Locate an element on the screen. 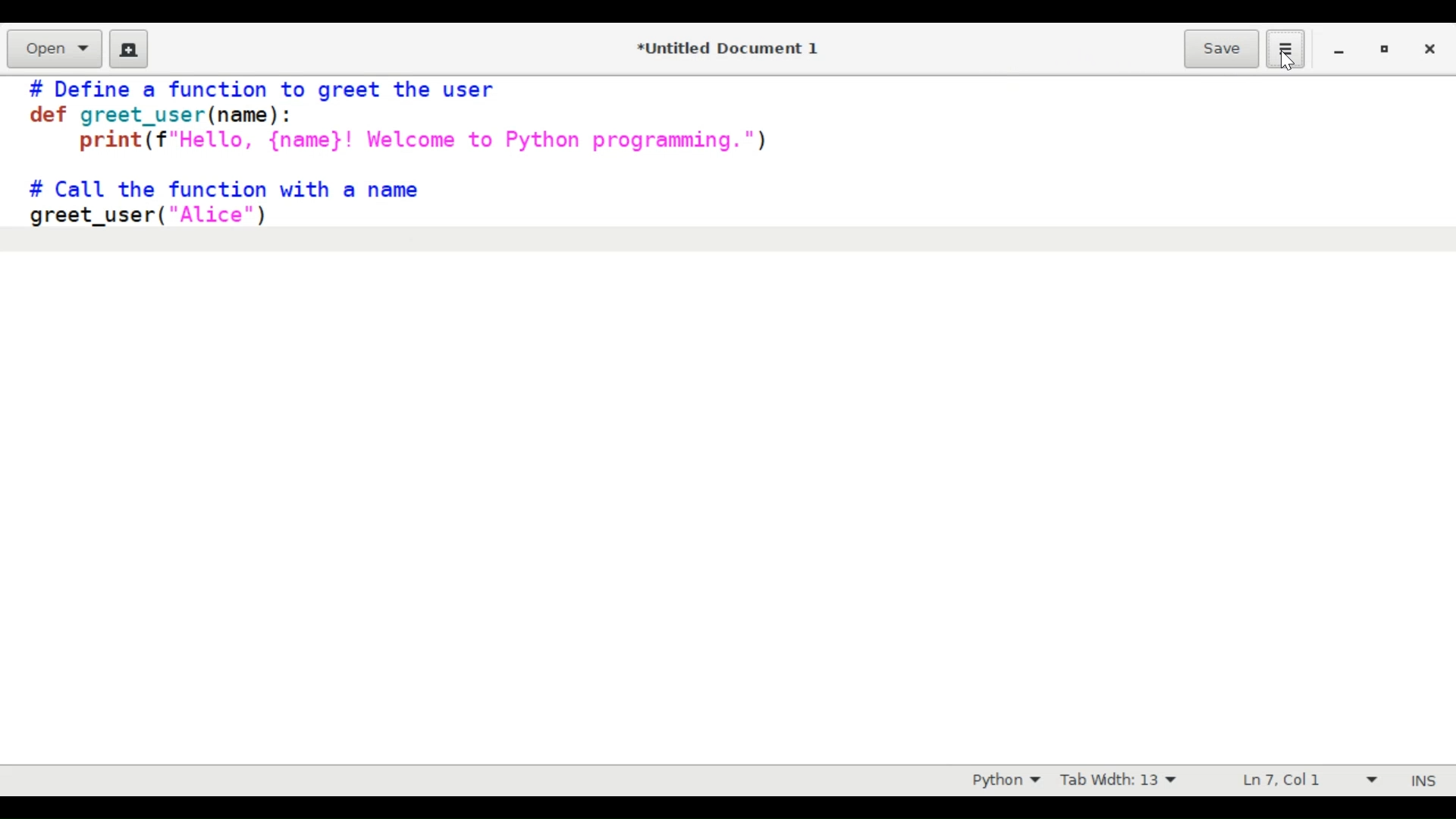 Image resolution: width=1456 pixels, height=819 pixels. Editor is located at coordinates (728, 411).